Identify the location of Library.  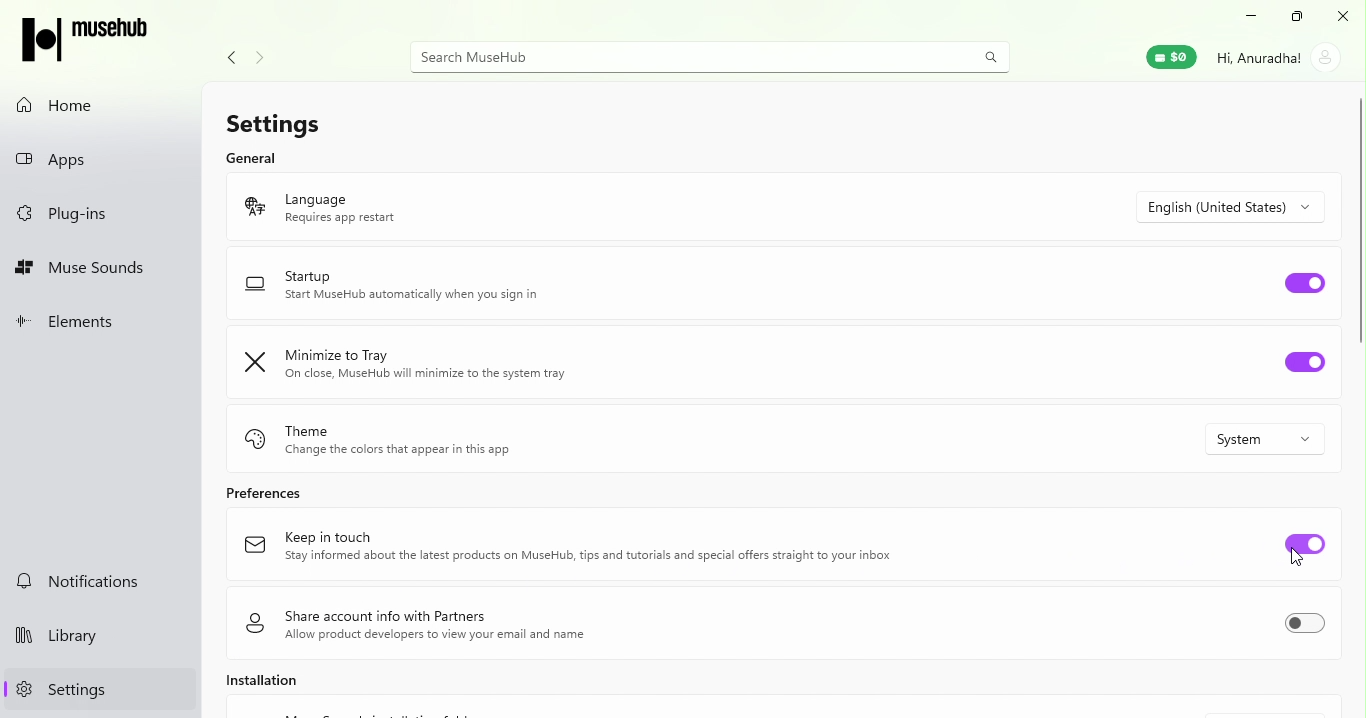
(98, 639).